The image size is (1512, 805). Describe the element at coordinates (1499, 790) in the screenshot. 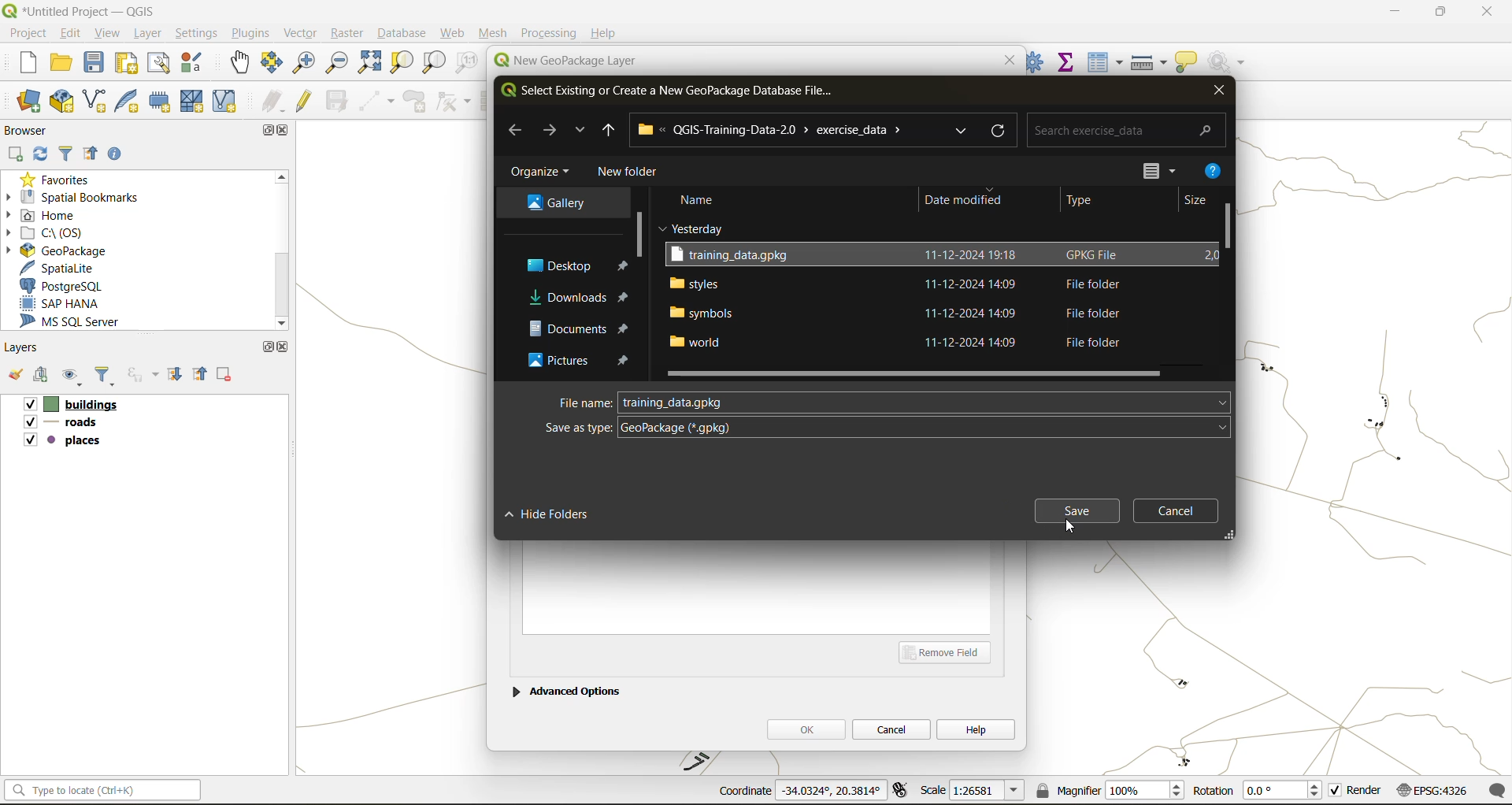

I see `log messages` at that location.